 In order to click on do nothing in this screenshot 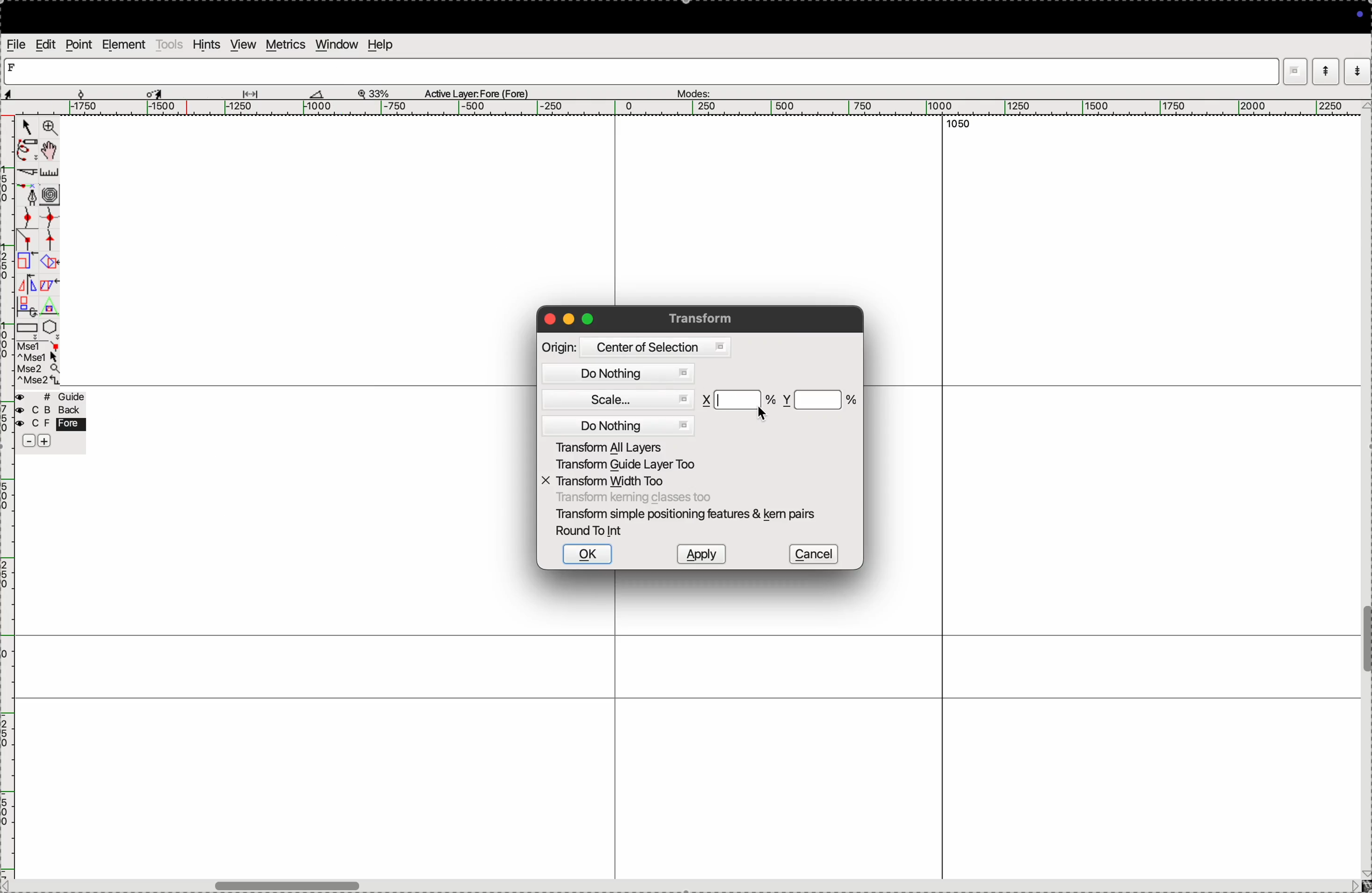, I will do `click(620, 425)`.